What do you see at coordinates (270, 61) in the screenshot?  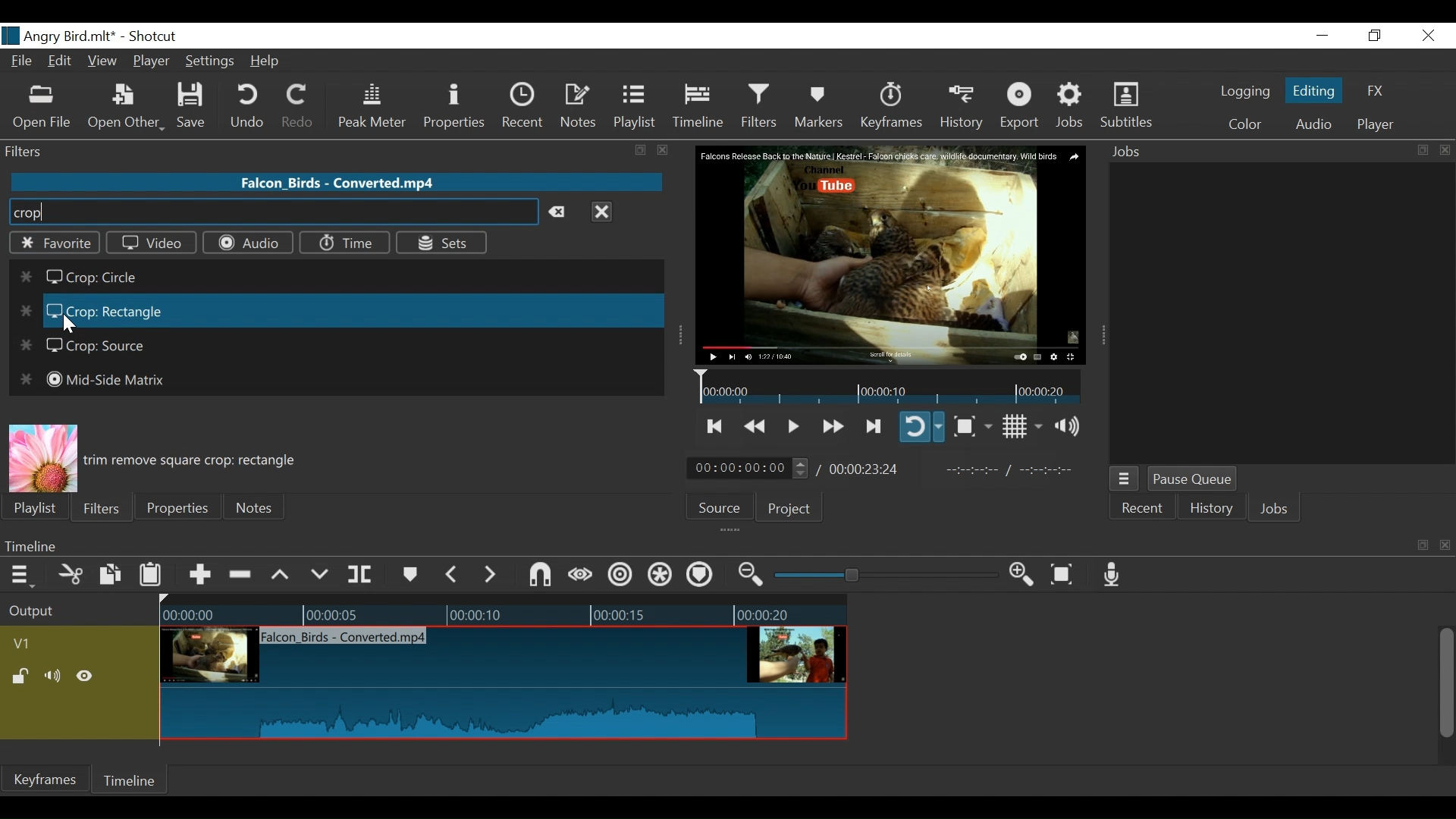 I see `Help` at bounding box center [270, 61].